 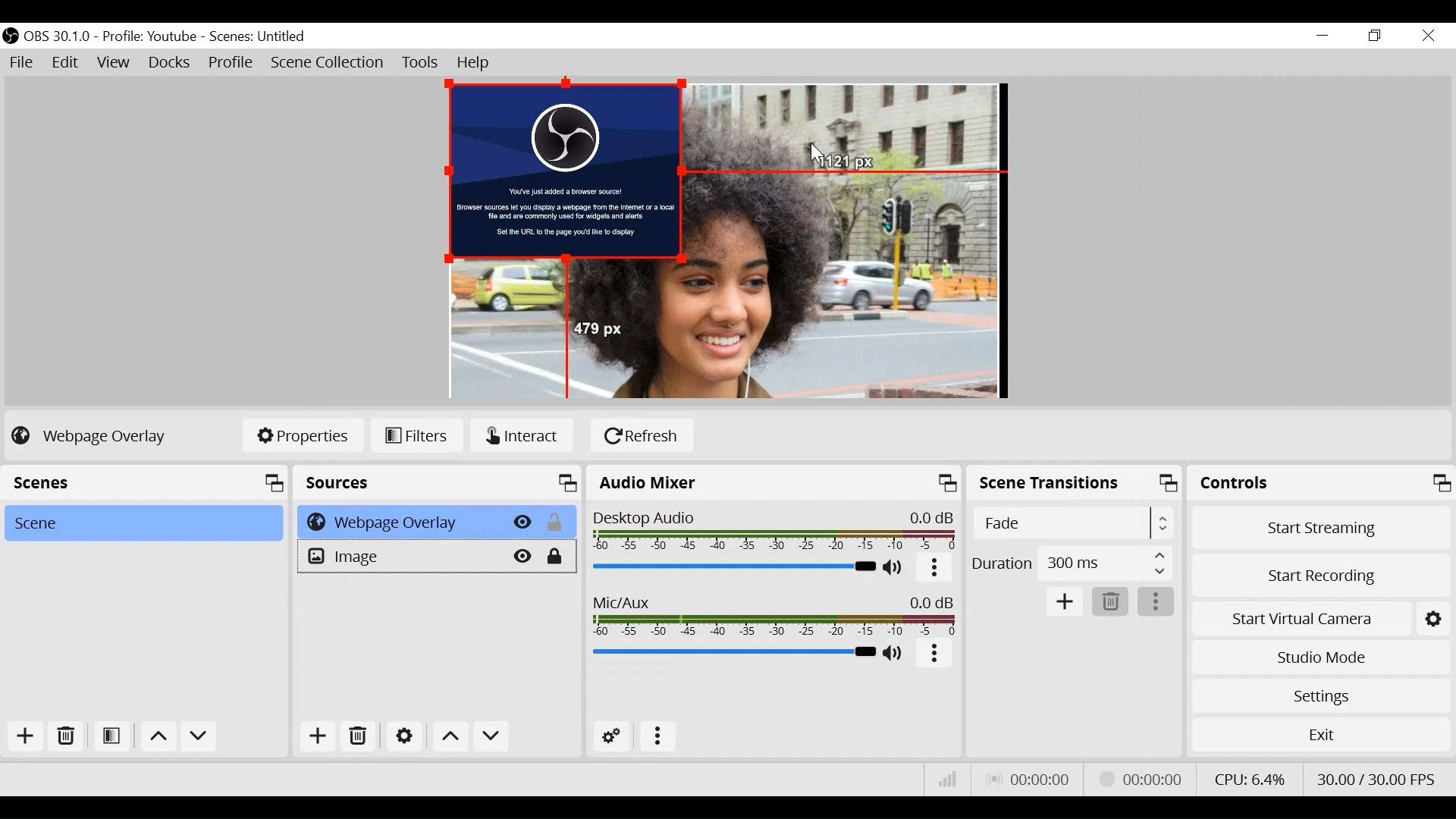 I want to click on move up, so click(x=160, y=737).